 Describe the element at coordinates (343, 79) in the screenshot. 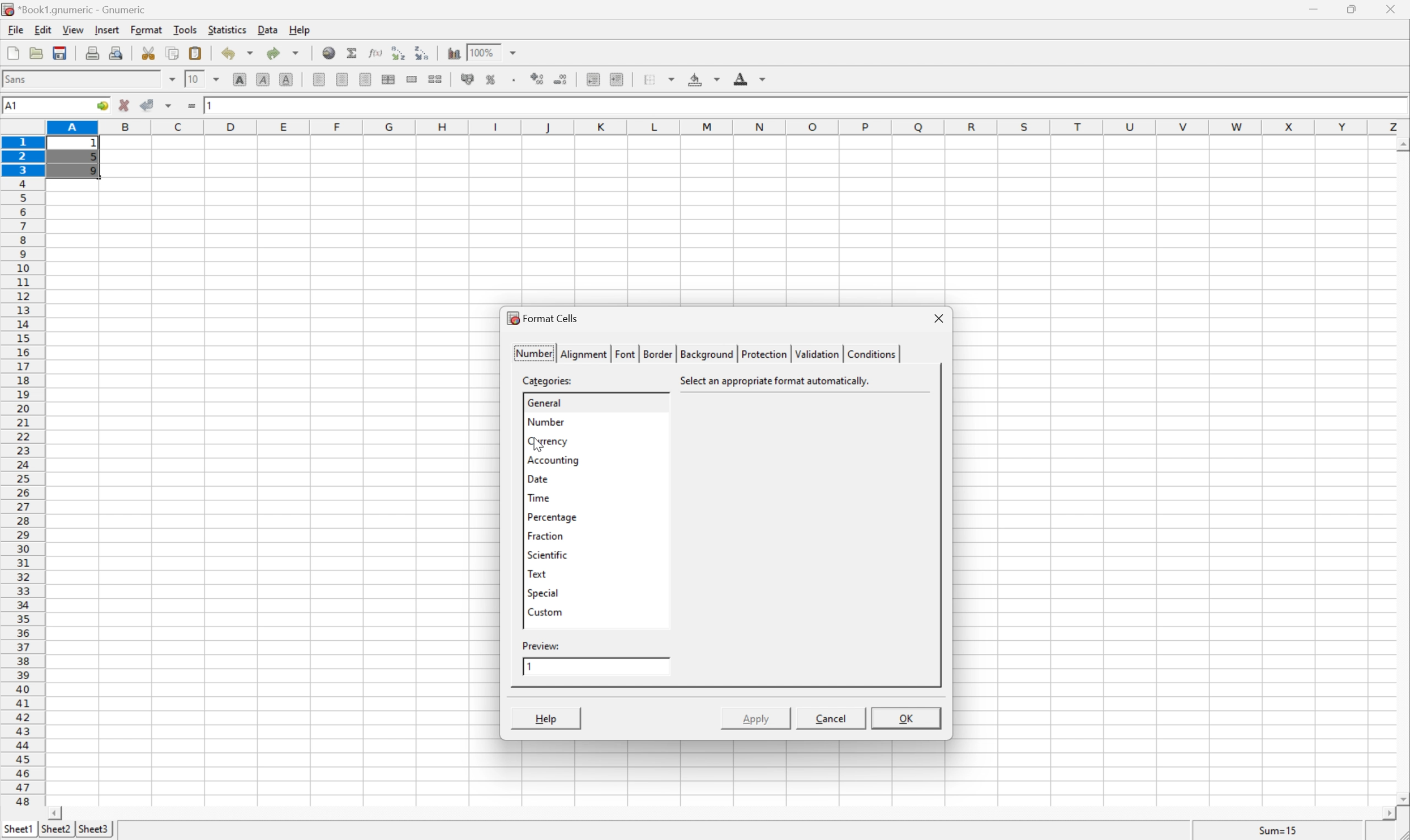

I see `align center` at that location.